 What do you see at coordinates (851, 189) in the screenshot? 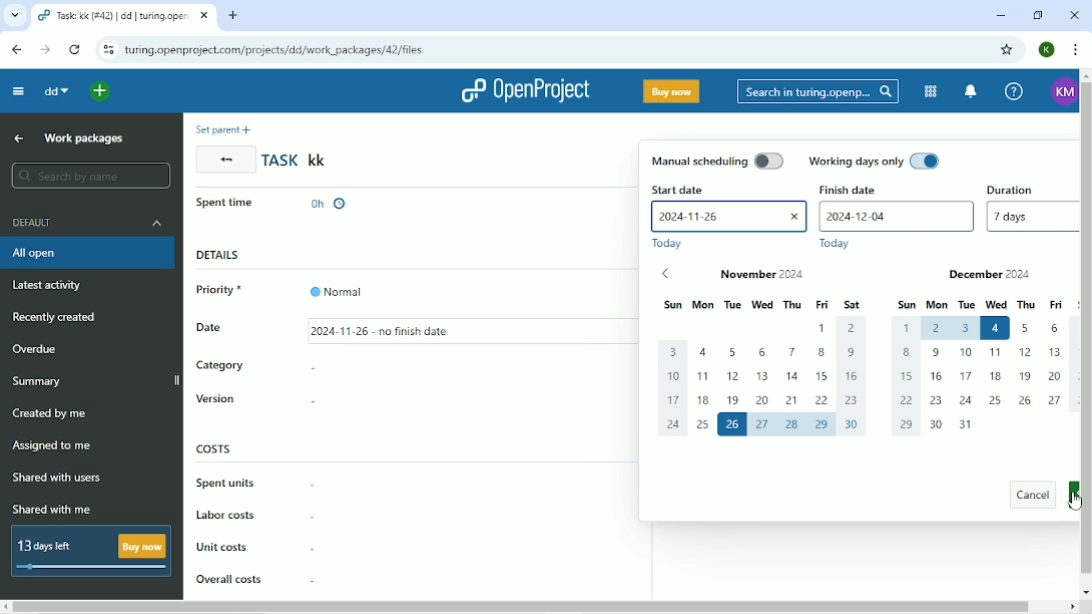
I see `Finish date` at bounding box center [851, 189].